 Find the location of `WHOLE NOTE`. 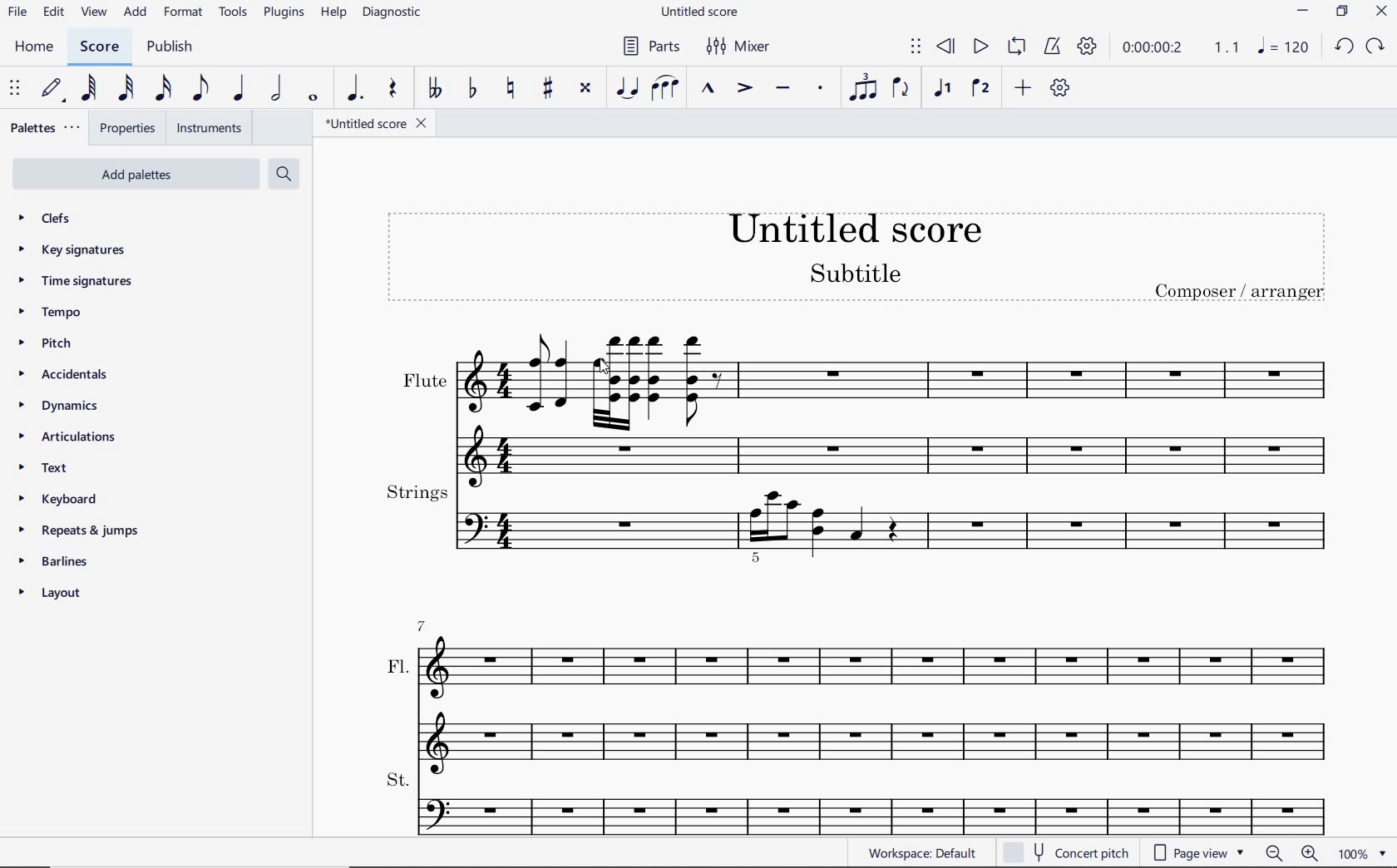

WHOLE NOTE is located at coordinates (313, 96).